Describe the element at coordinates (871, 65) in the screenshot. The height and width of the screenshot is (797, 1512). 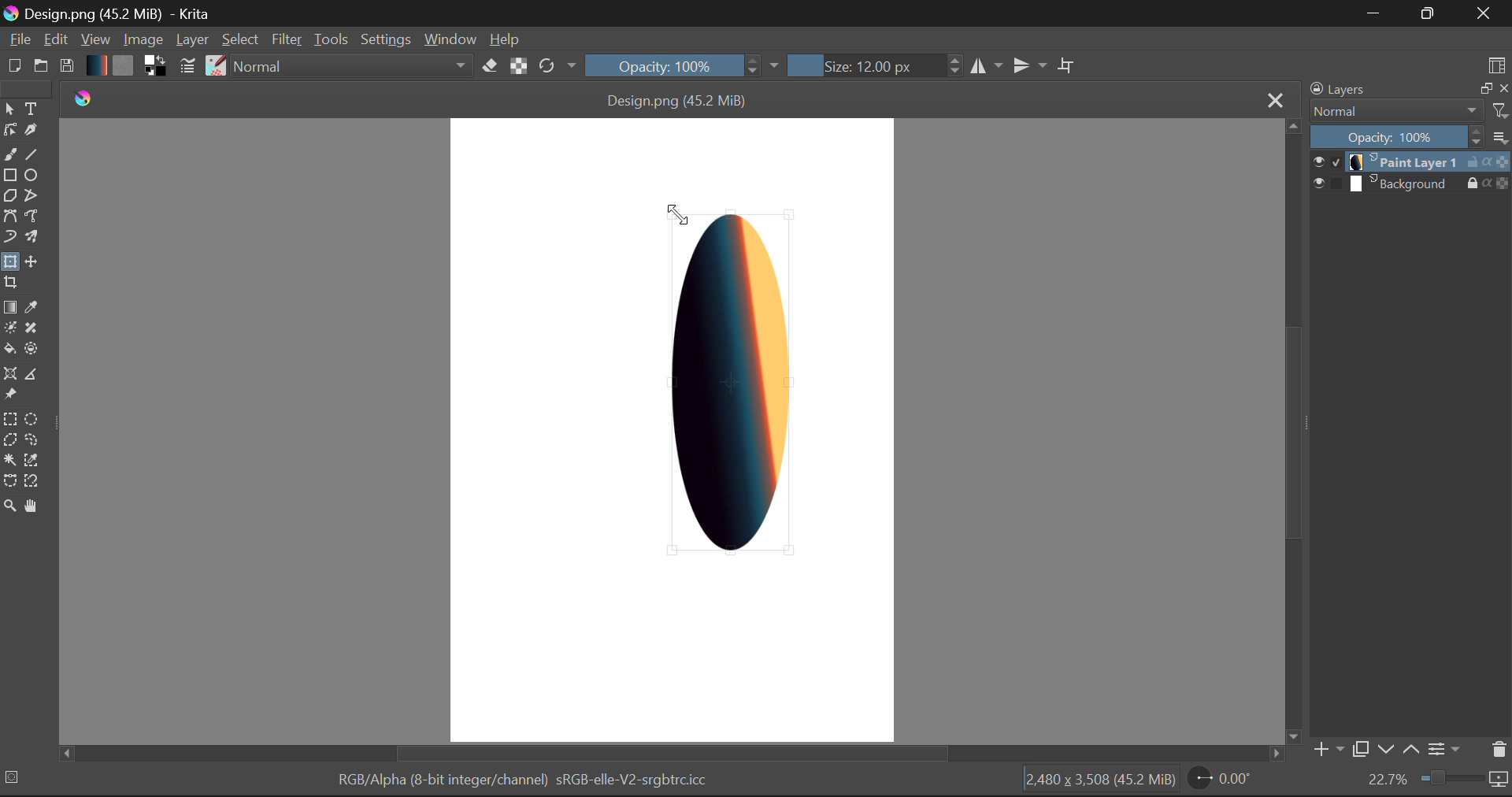
I see `Brush Size` at that location.